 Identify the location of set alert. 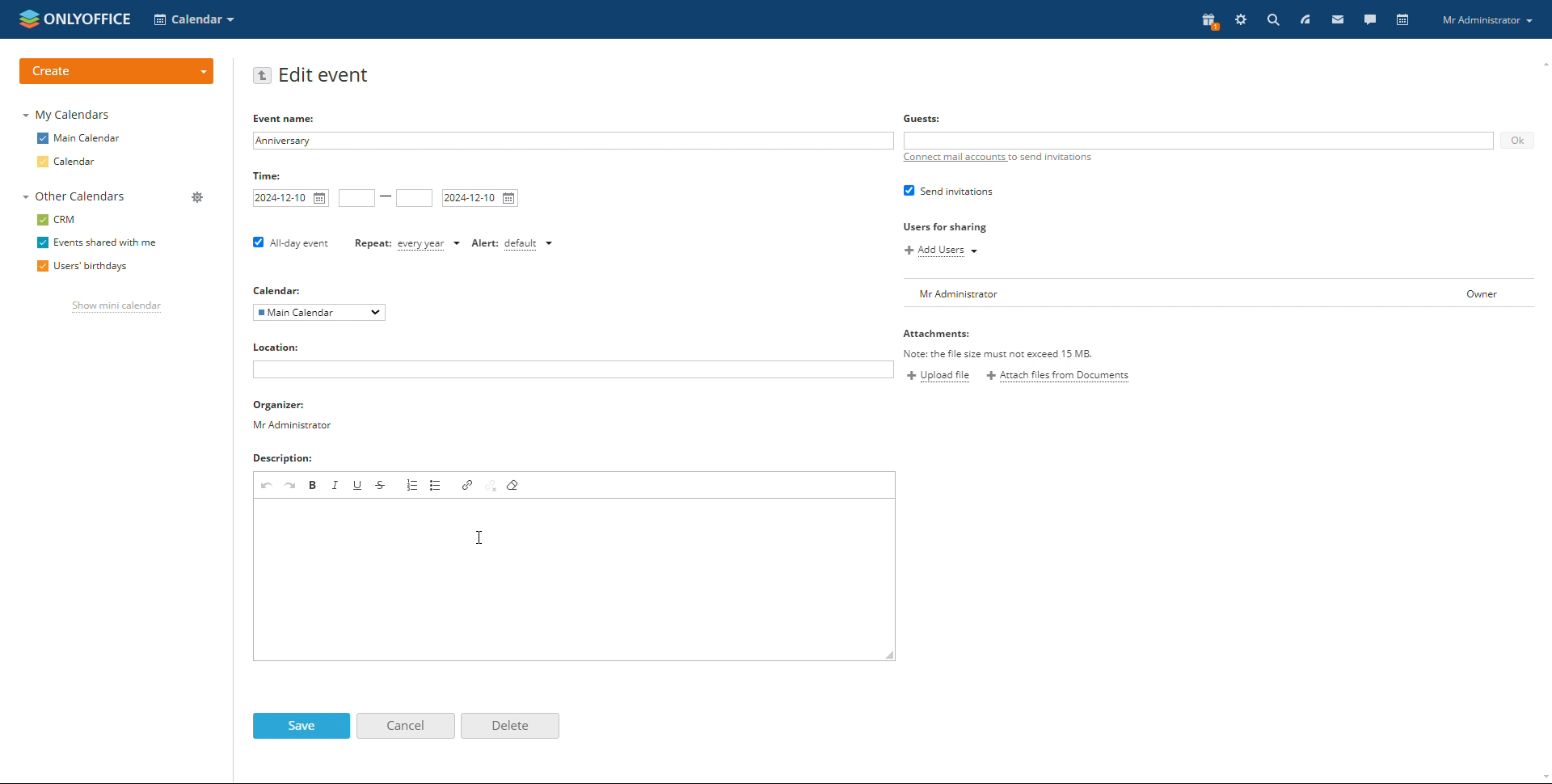
(513, 244).